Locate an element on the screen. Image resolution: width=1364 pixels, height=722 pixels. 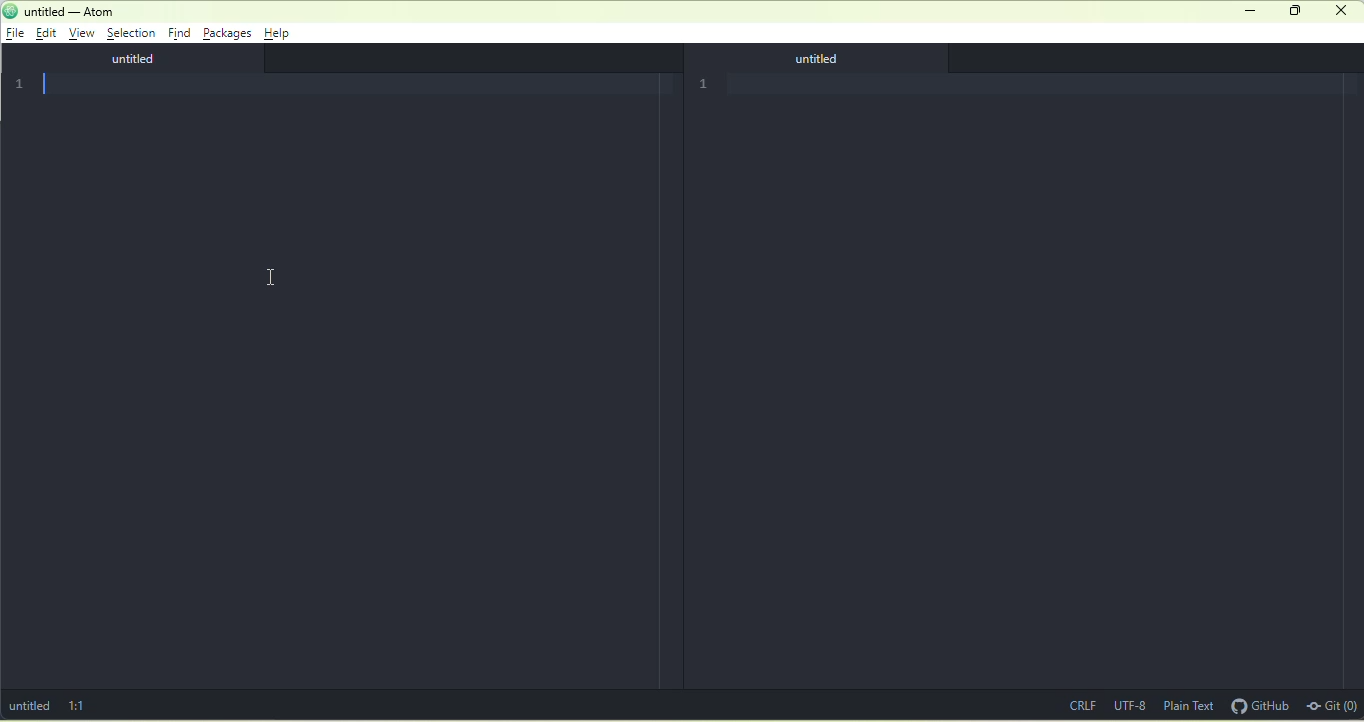
cursor is located at coordinates (274, 275).